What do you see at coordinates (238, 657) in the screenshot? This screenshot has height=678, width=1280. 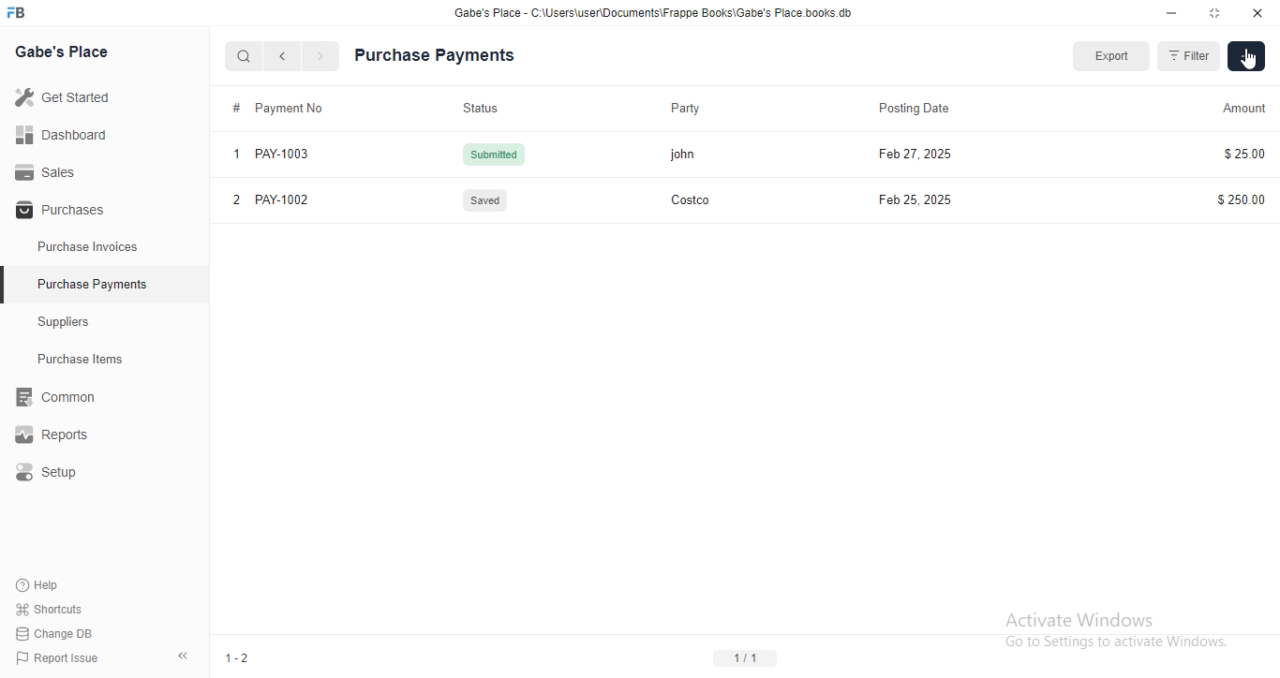 I see `1-2` at bounding box center [238, 657].